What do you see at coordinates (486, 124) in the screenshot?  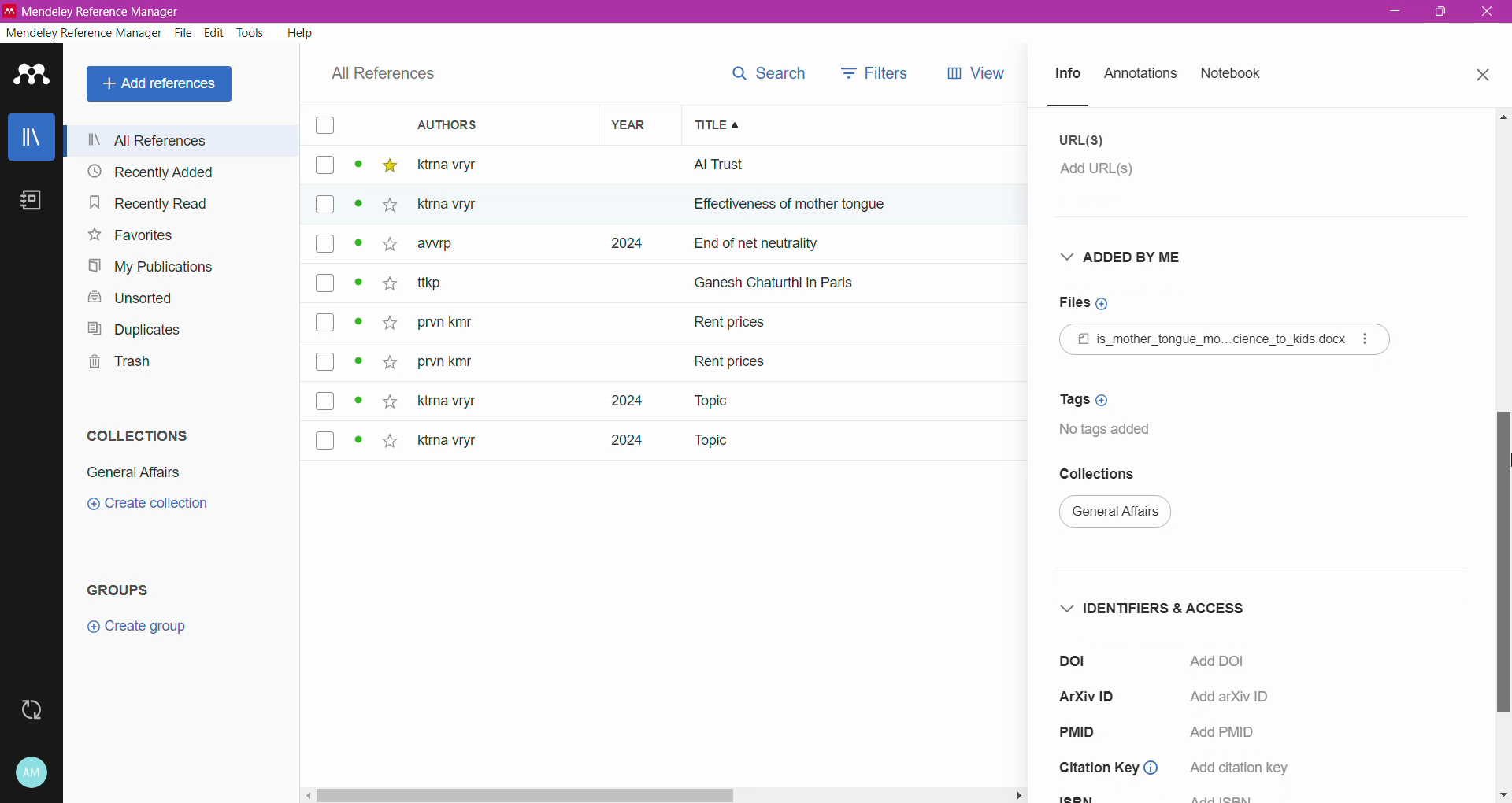 I see `Authors` at bounding box center [486, 124].